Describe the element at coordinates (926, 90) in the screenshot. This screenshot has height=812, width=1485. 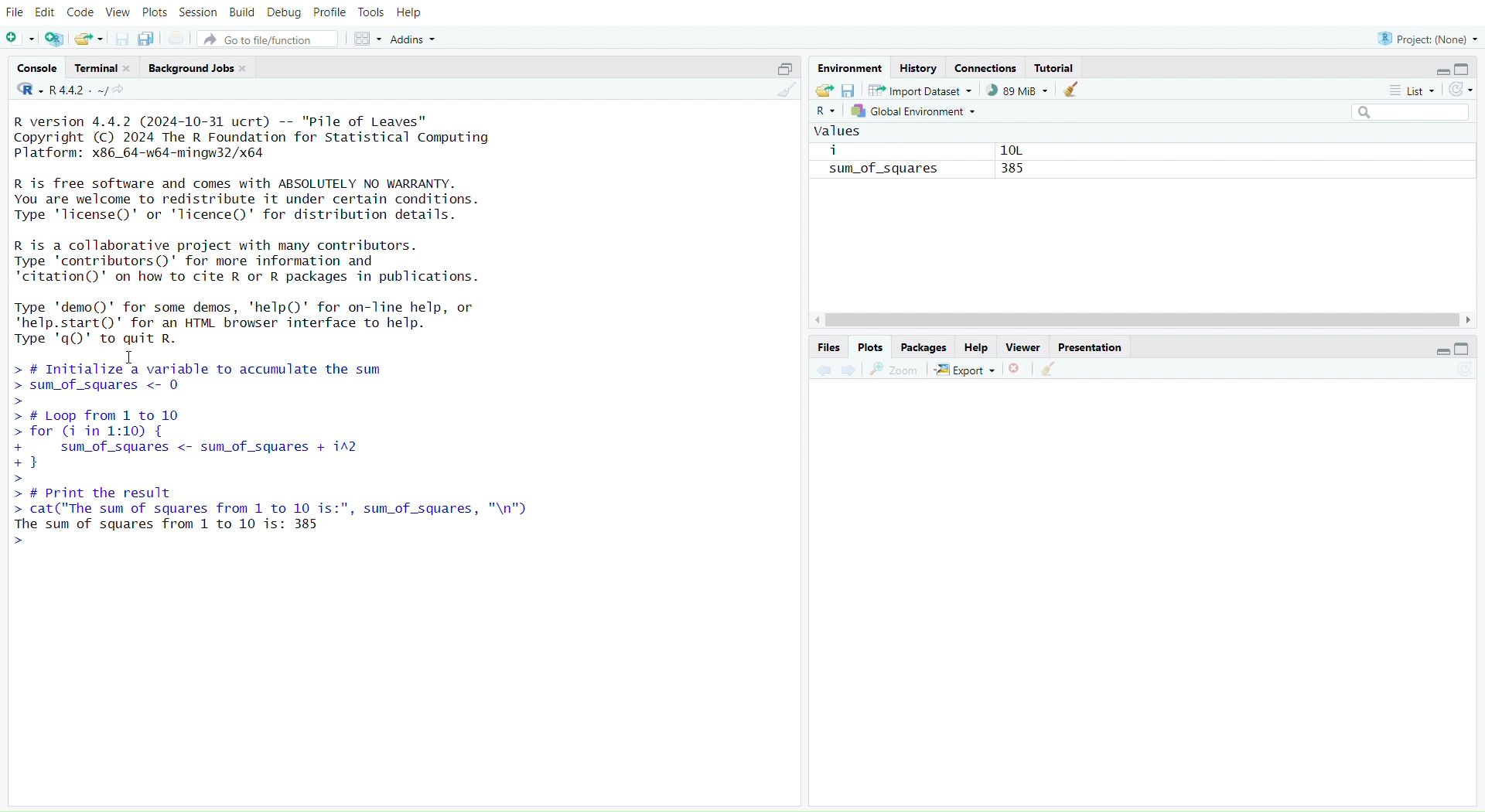
I see `import dataset` at that location.